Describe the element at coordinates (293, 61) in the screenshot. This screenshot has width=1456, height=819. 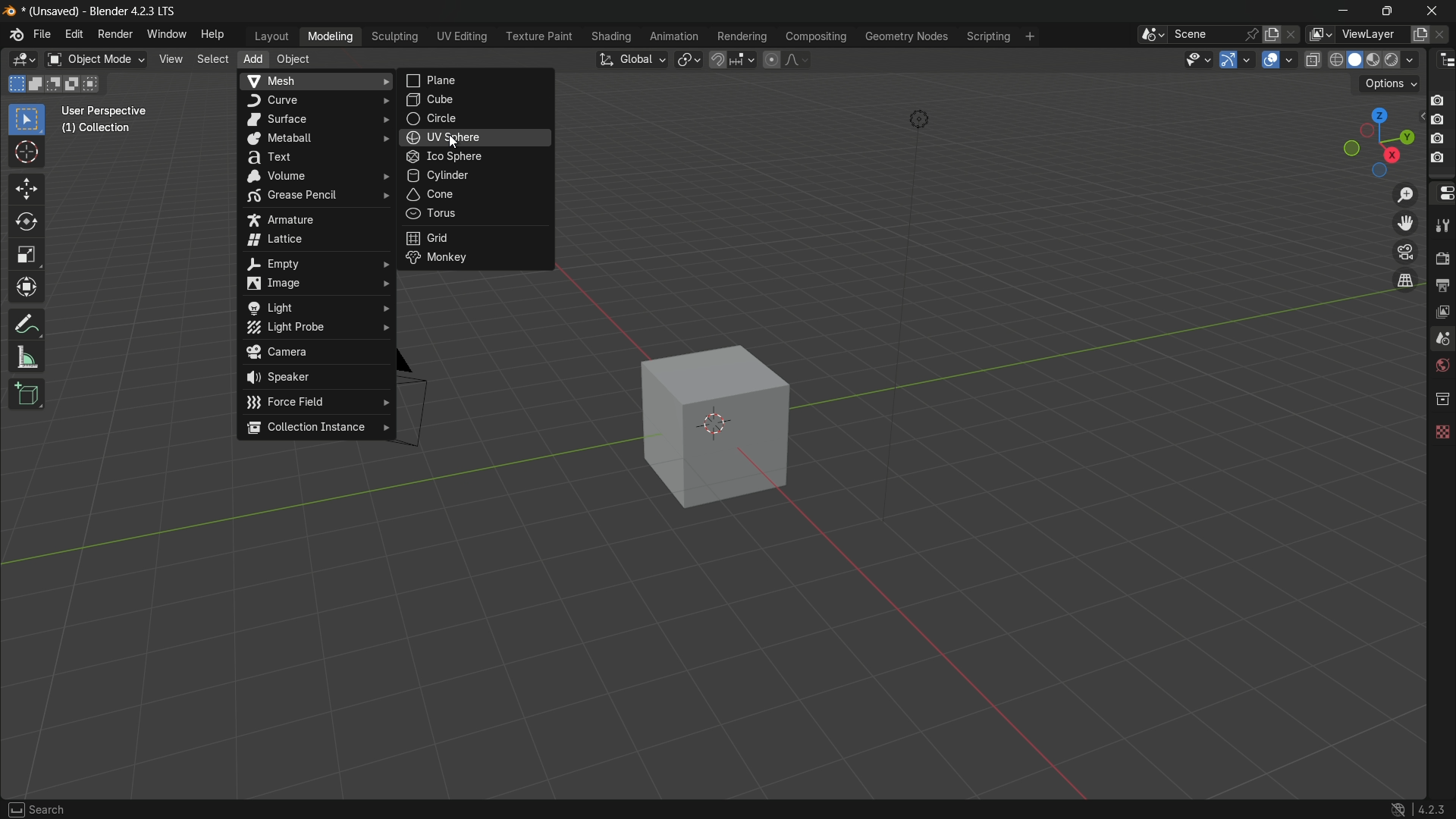
I see `object` at that location.